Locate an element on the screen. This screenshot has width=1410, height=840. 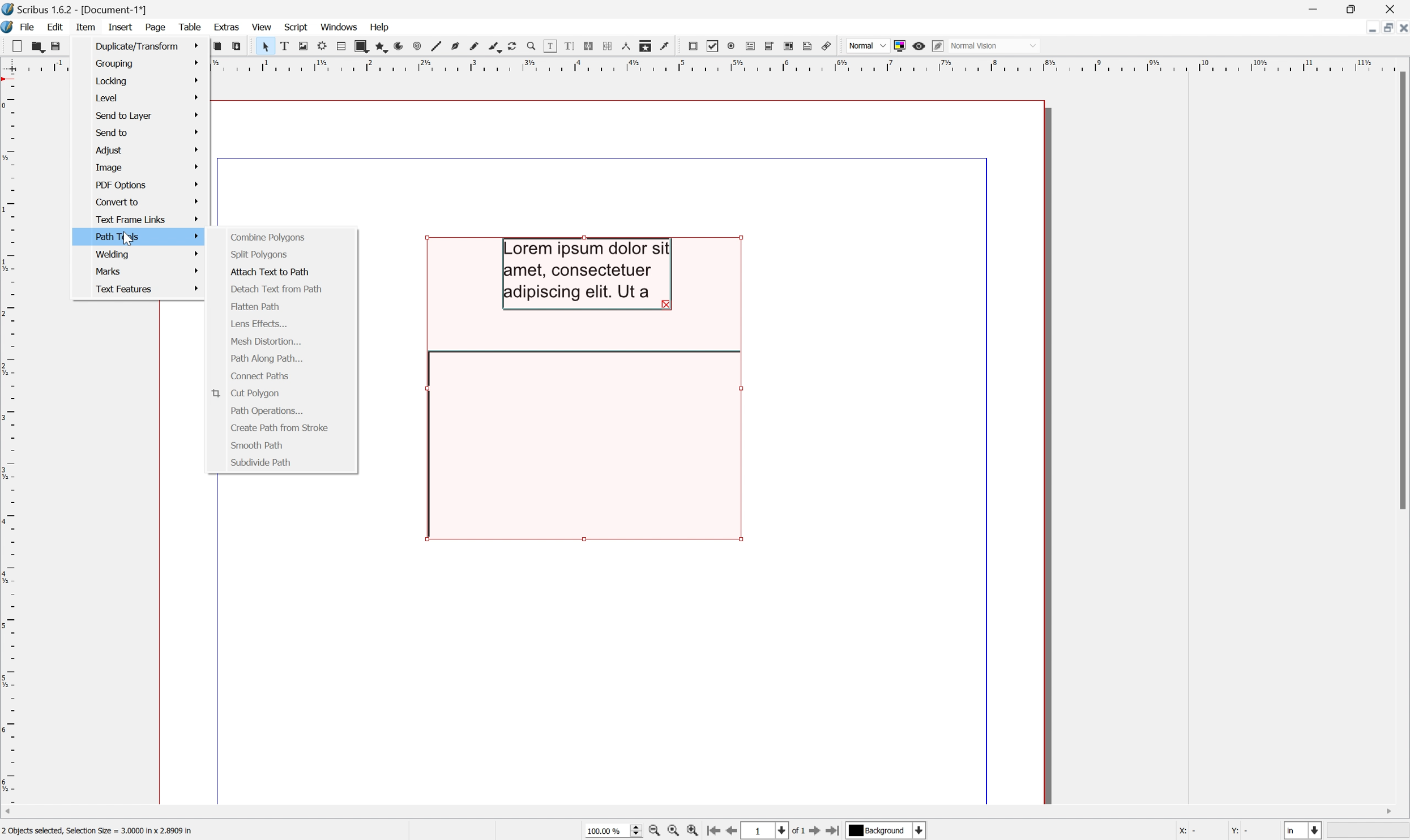
PDF combo box is located at coordinates (768, 44).